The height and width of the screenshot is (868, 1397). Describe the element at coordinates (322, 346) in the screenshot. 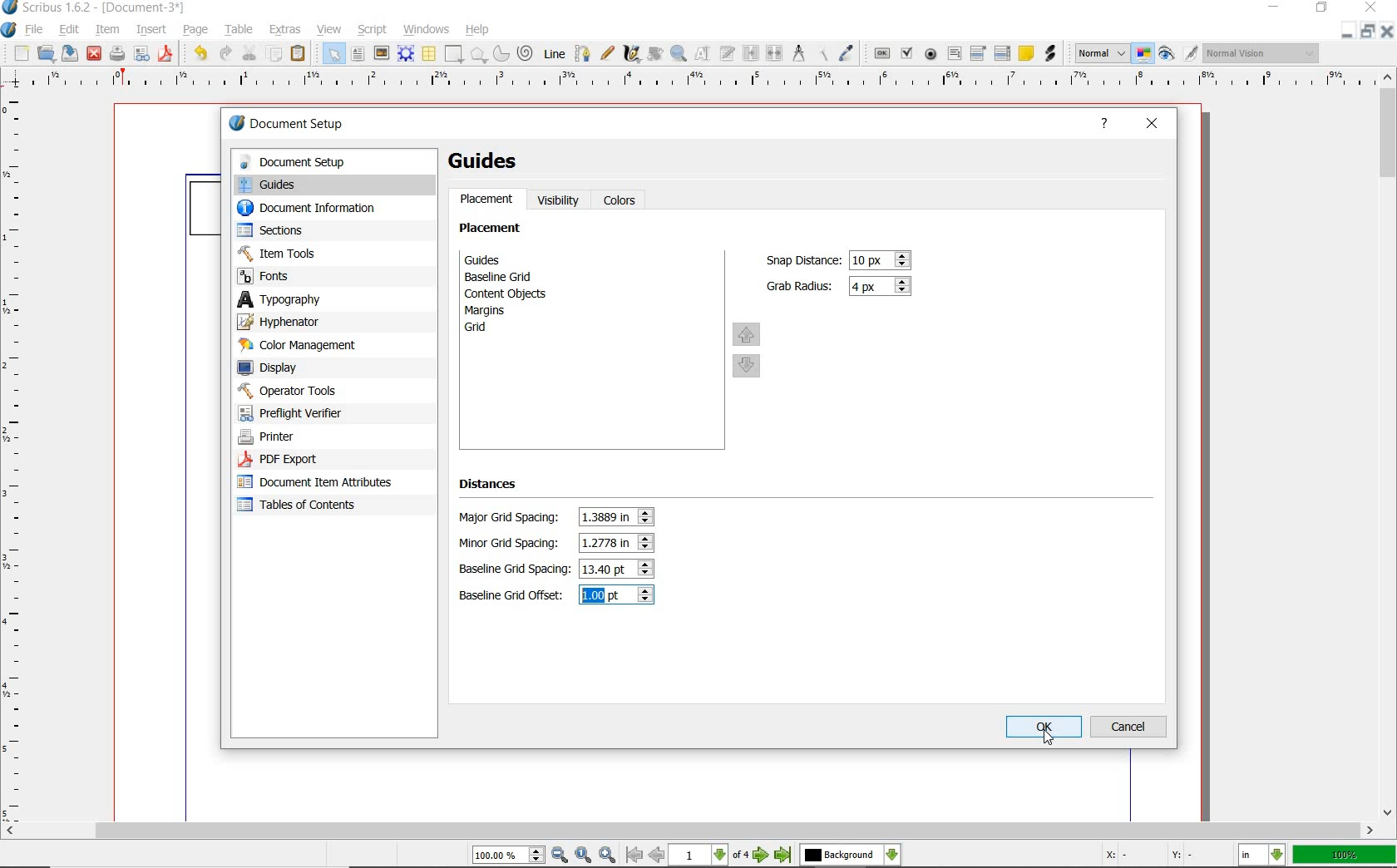

I see `color management` at that location.